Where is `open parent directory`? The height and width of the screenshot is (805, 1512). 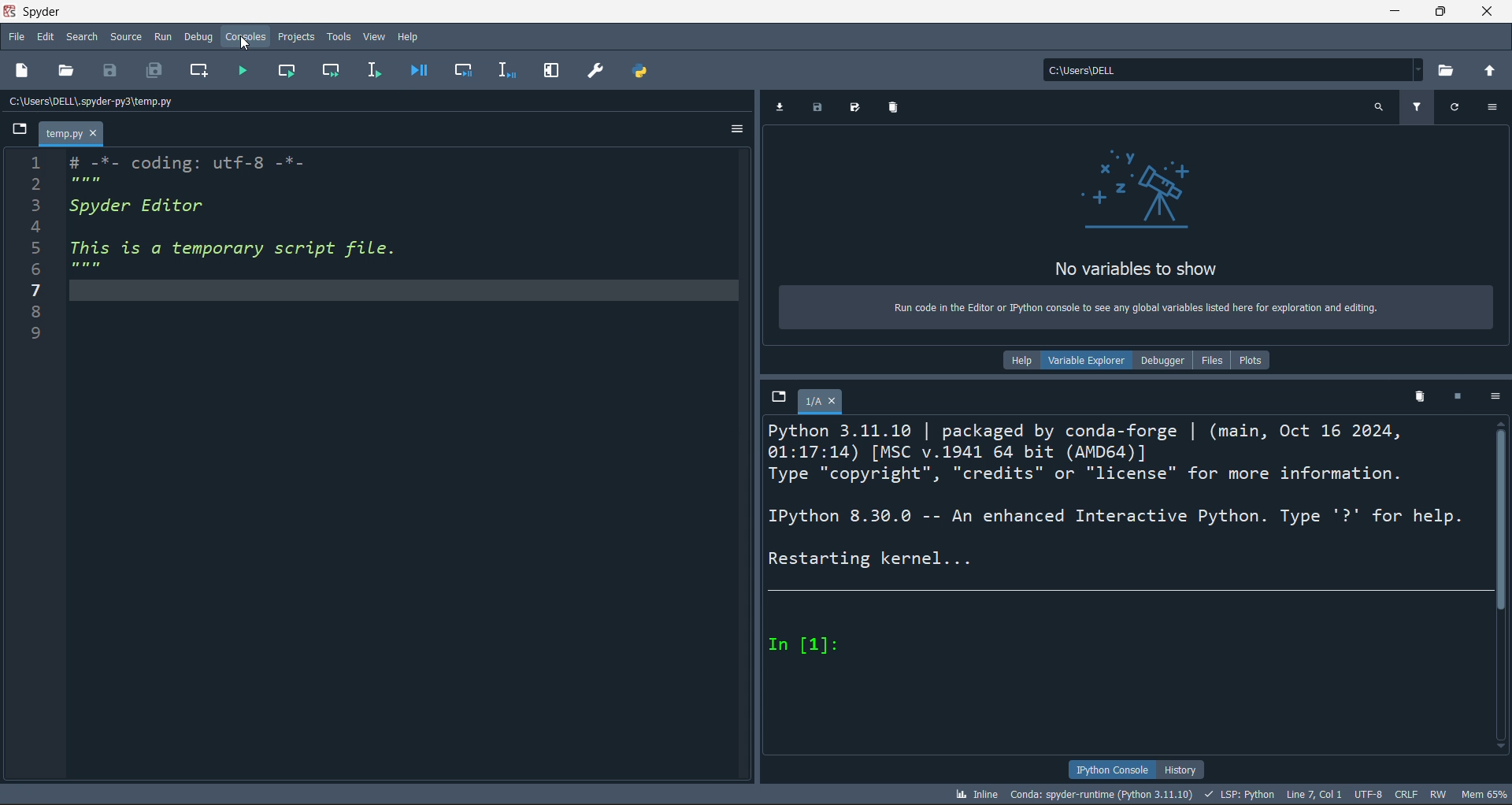
open parent directory is located at coordinates (1489, 66).